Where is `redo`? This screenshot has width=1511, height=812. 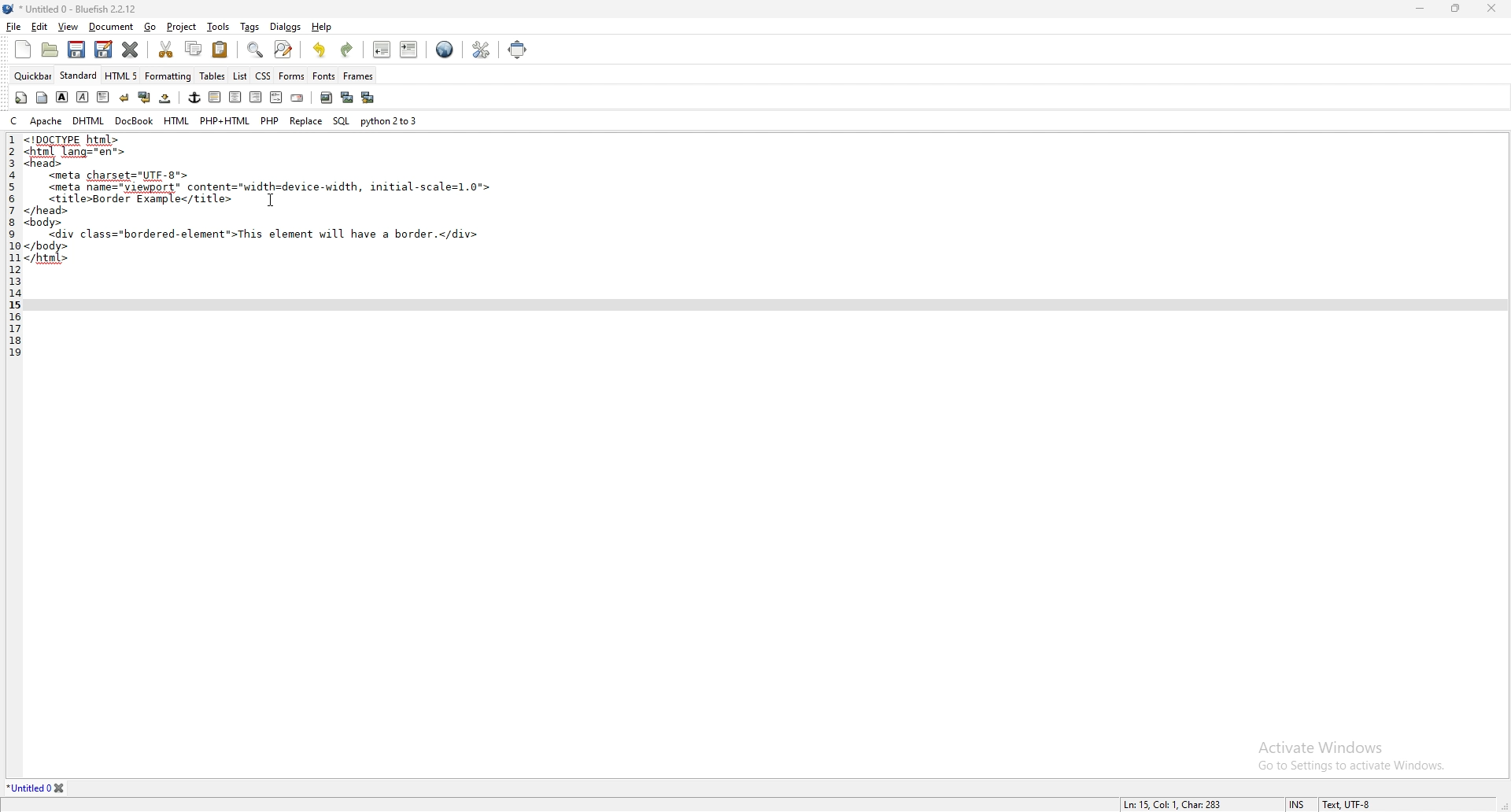 redo is located at coordinates (345, 50).